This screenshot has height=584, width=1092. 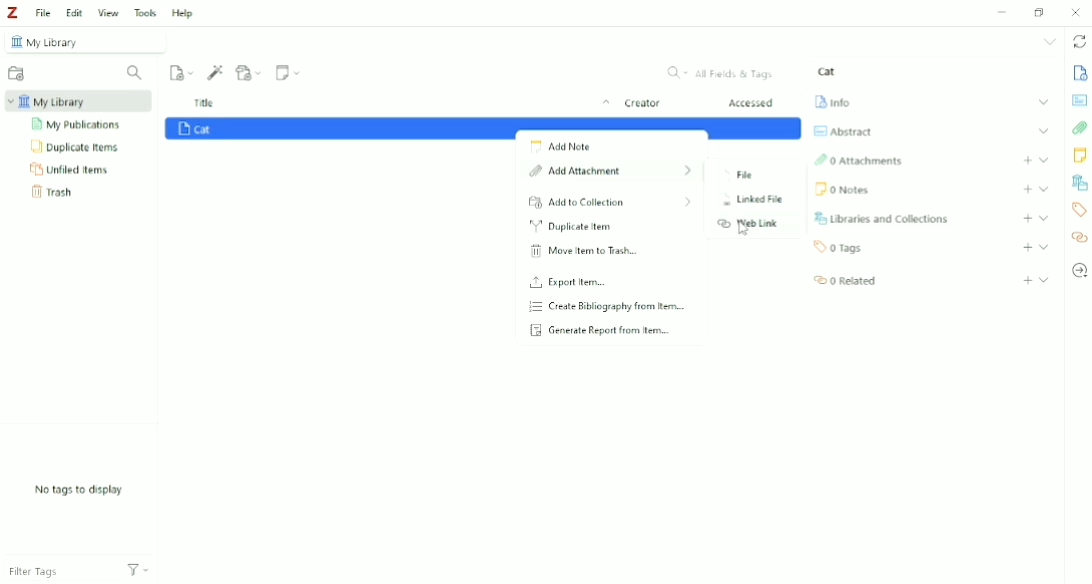 I want to click on Libraries and Collections, so click(x=1079, y=183).